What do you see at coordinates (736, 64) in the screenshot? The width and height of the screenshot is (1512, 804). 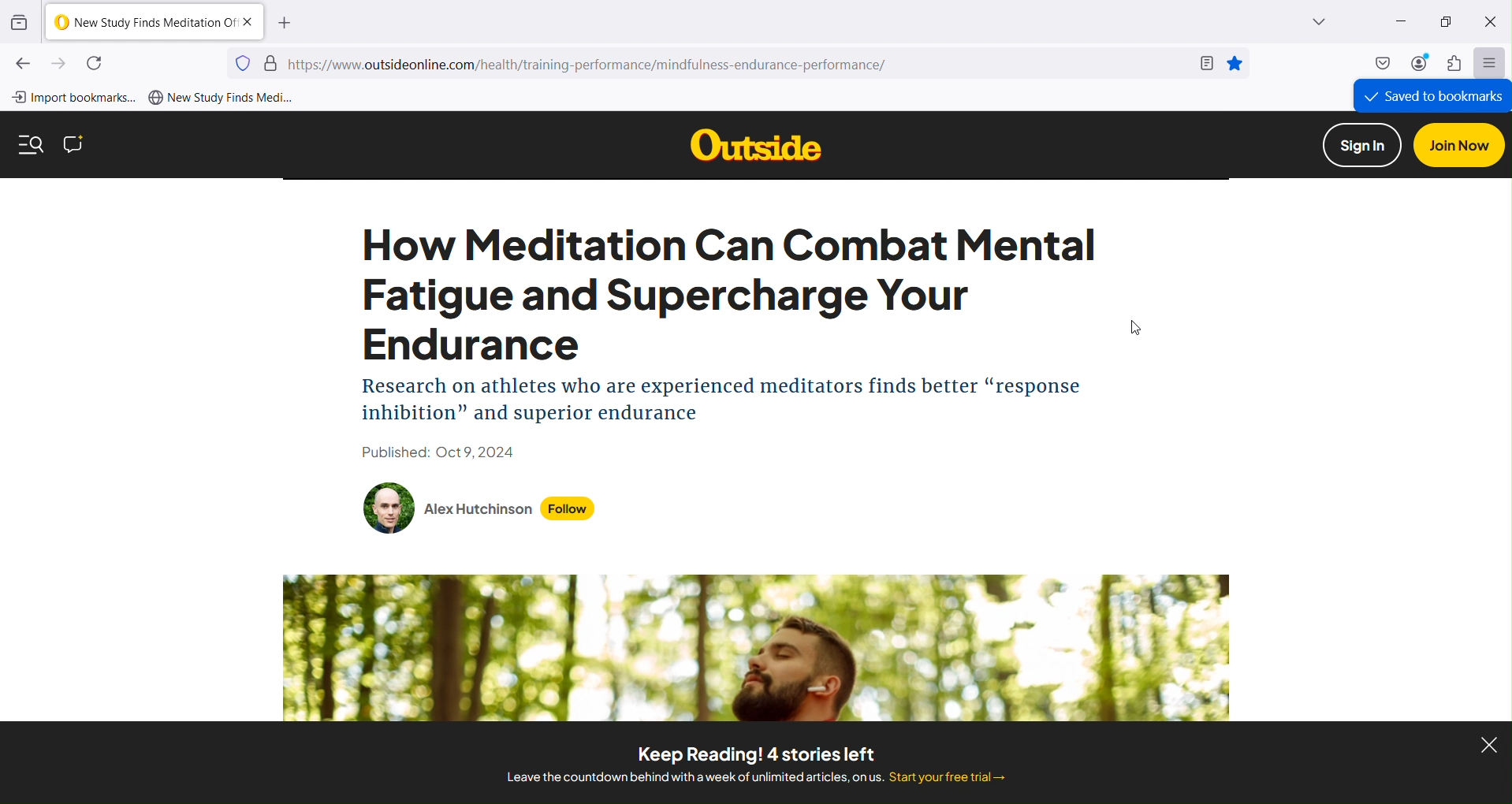 I see `Current Webpage URL` at bounding box center [736, 64].